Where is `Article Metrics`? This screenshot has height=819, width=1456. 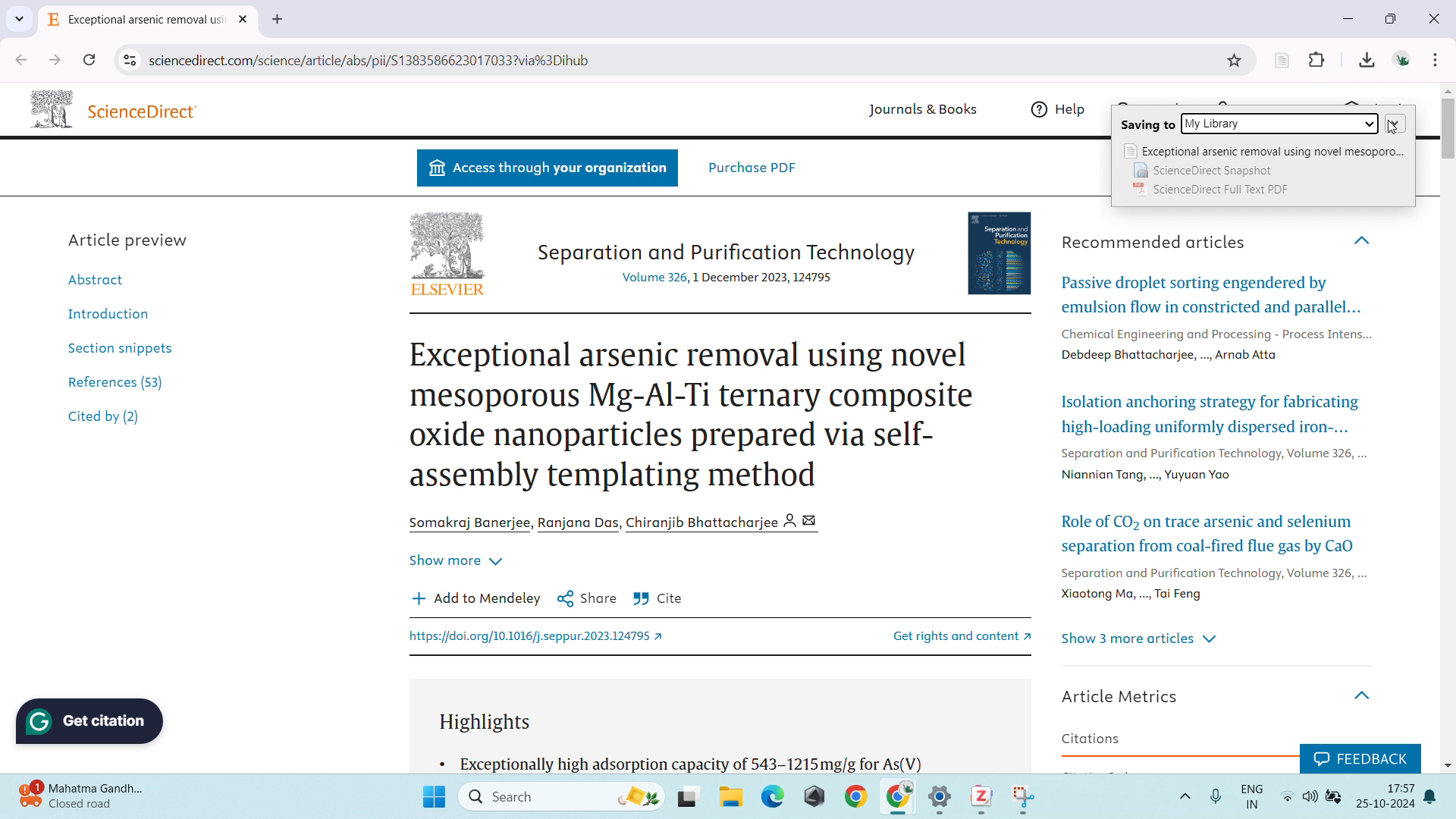
Article Metrics is located at coordinates (1125, 695).